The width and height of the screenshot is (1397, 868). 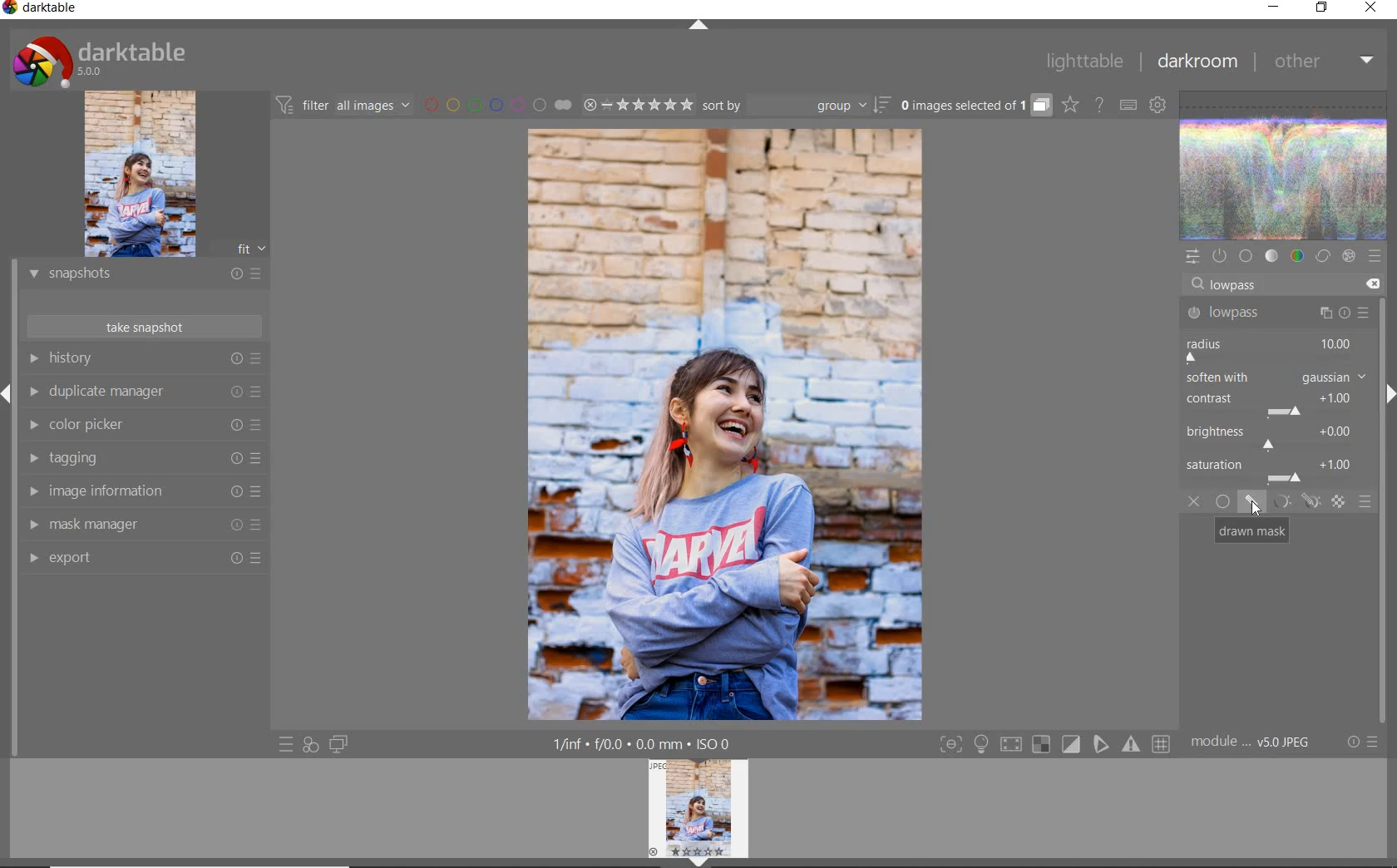 What do you see at coordinates (1370, 283) in the screenshot?
I see `delete` at bounding box center [1370, 283].